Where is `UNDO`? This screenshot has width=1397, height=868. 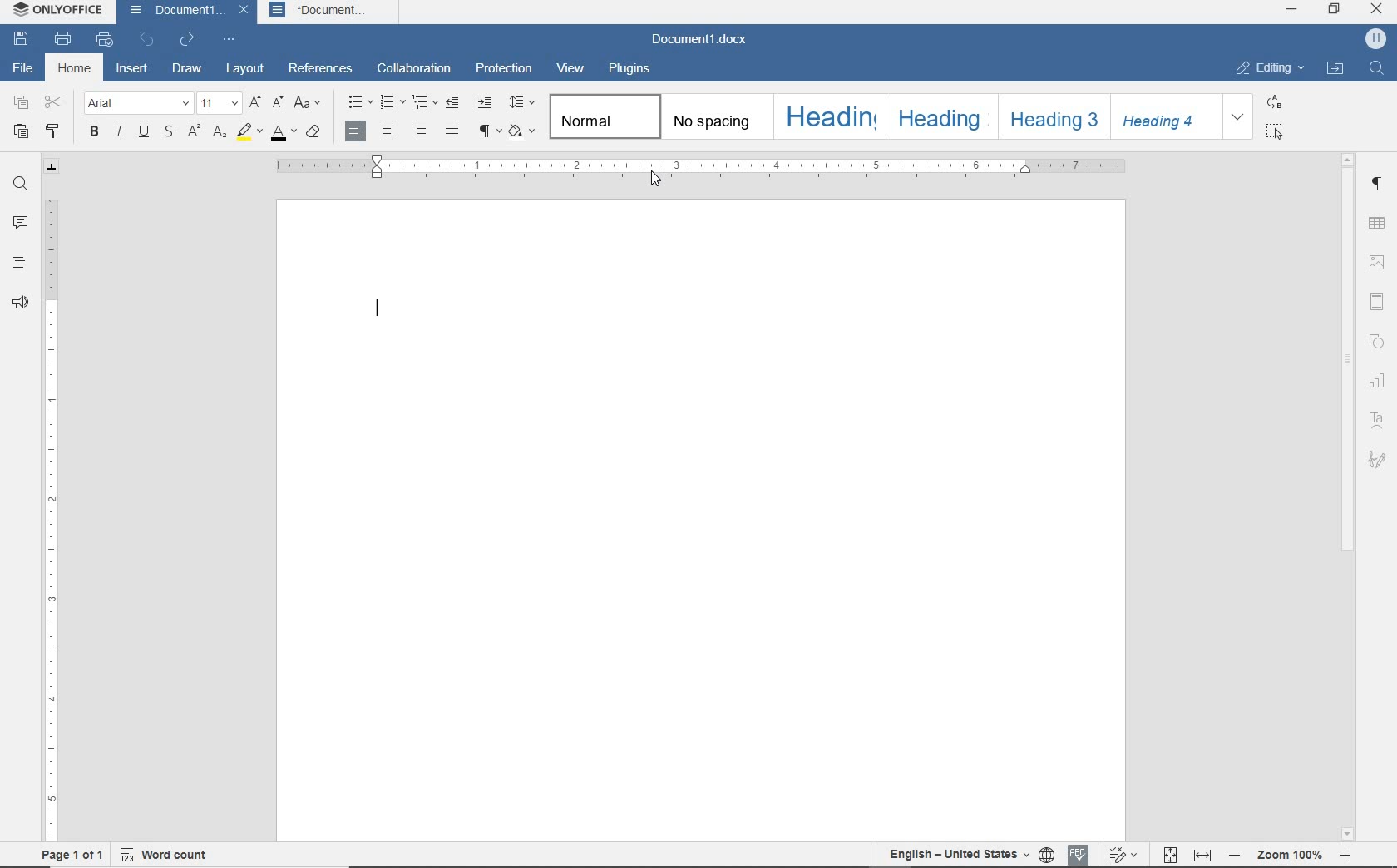 UNDO is located at coordinates (147, 41).